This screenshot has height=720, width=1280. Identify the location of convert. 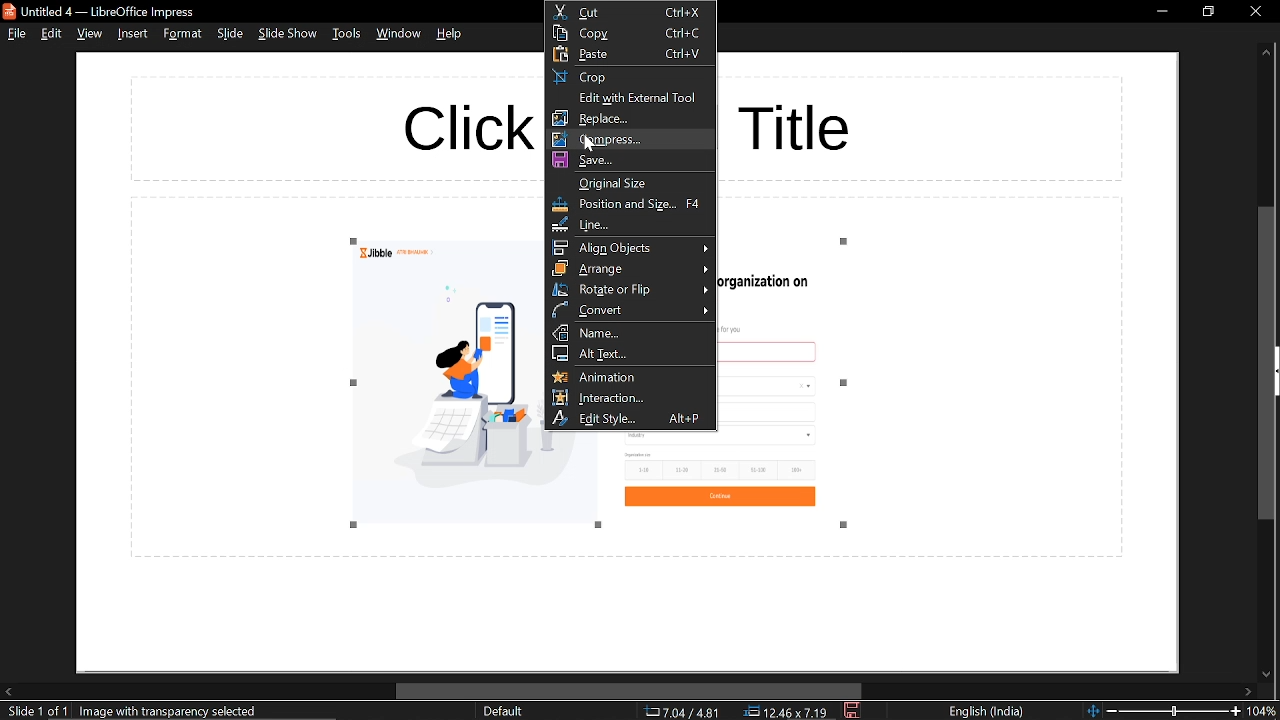
(629, 310).